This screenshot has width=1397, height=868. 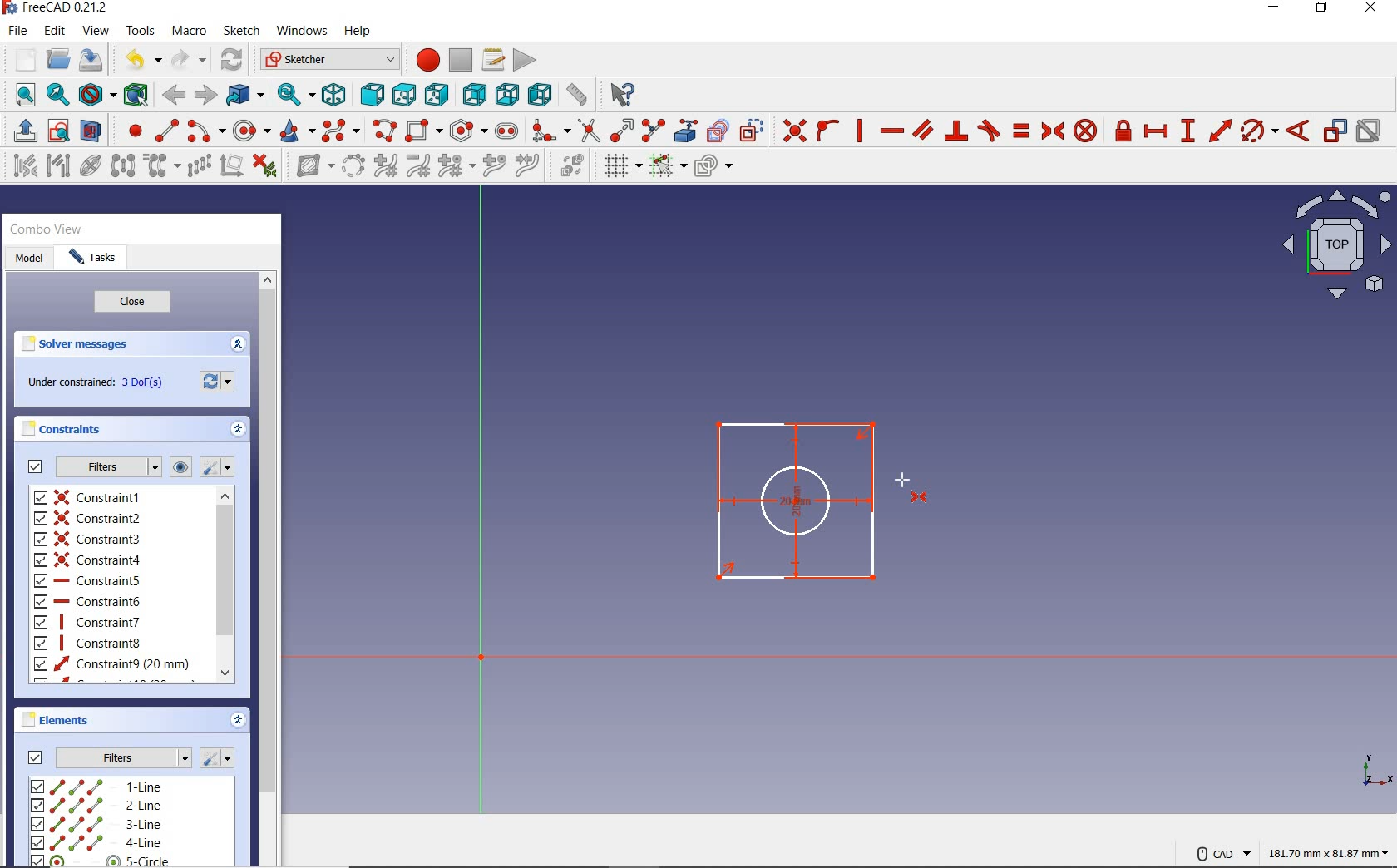 I want to click on insert knot, so click(x=493, y=167).